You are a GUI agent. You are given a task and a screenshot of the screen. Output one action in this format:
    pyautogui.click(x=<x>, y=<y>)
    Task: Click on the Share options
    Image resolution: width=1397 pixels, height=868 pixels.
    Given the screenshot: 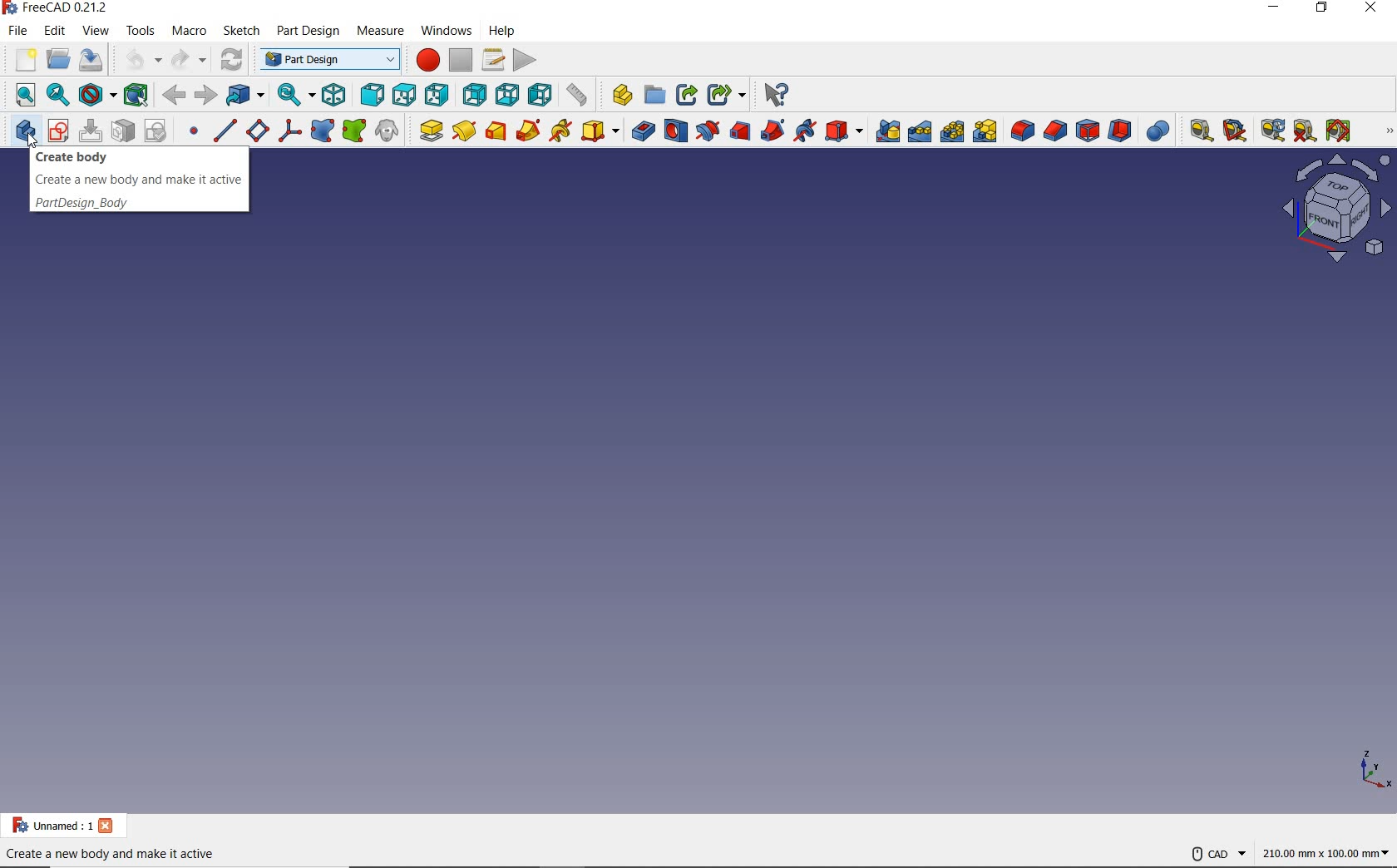 What is the action you would take?
    pyautogui.click(x=725, y=95)
    